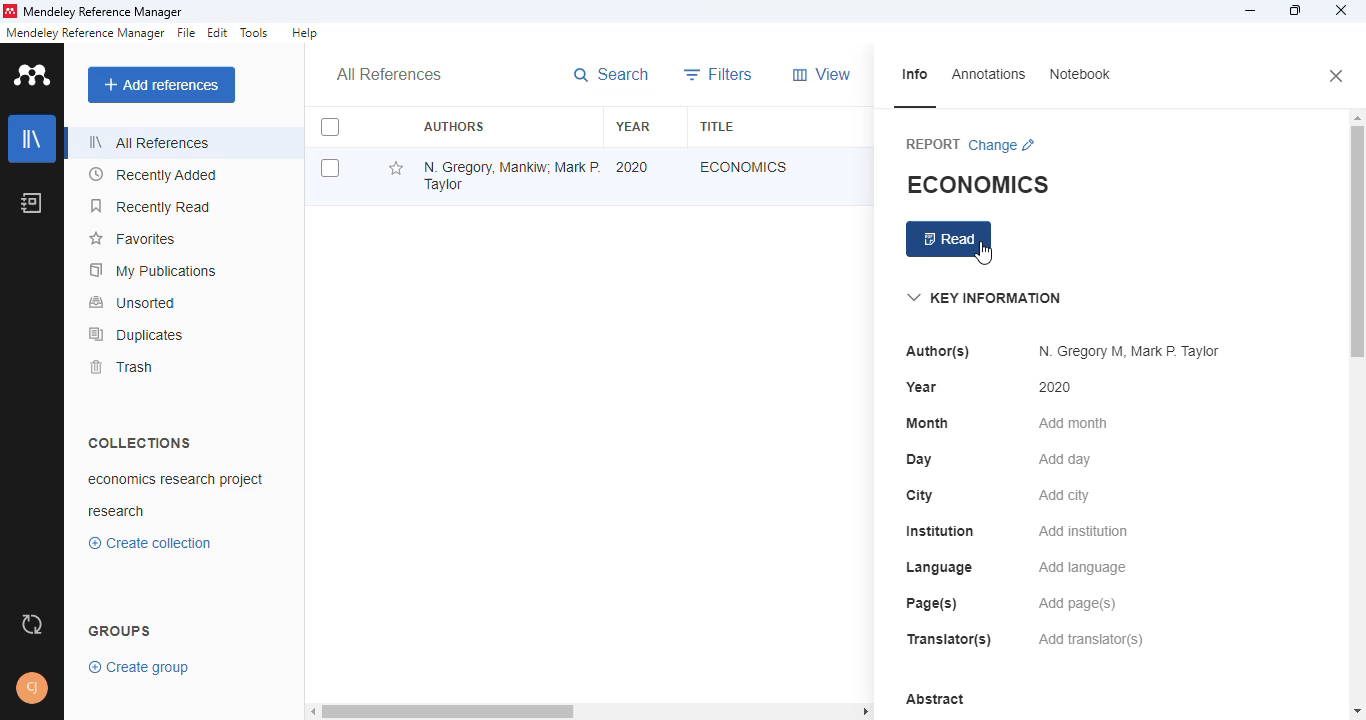  What do you see at coordinates (31, 201) in the screenshot?
I see `notebook` at bounding box center [31, 201].